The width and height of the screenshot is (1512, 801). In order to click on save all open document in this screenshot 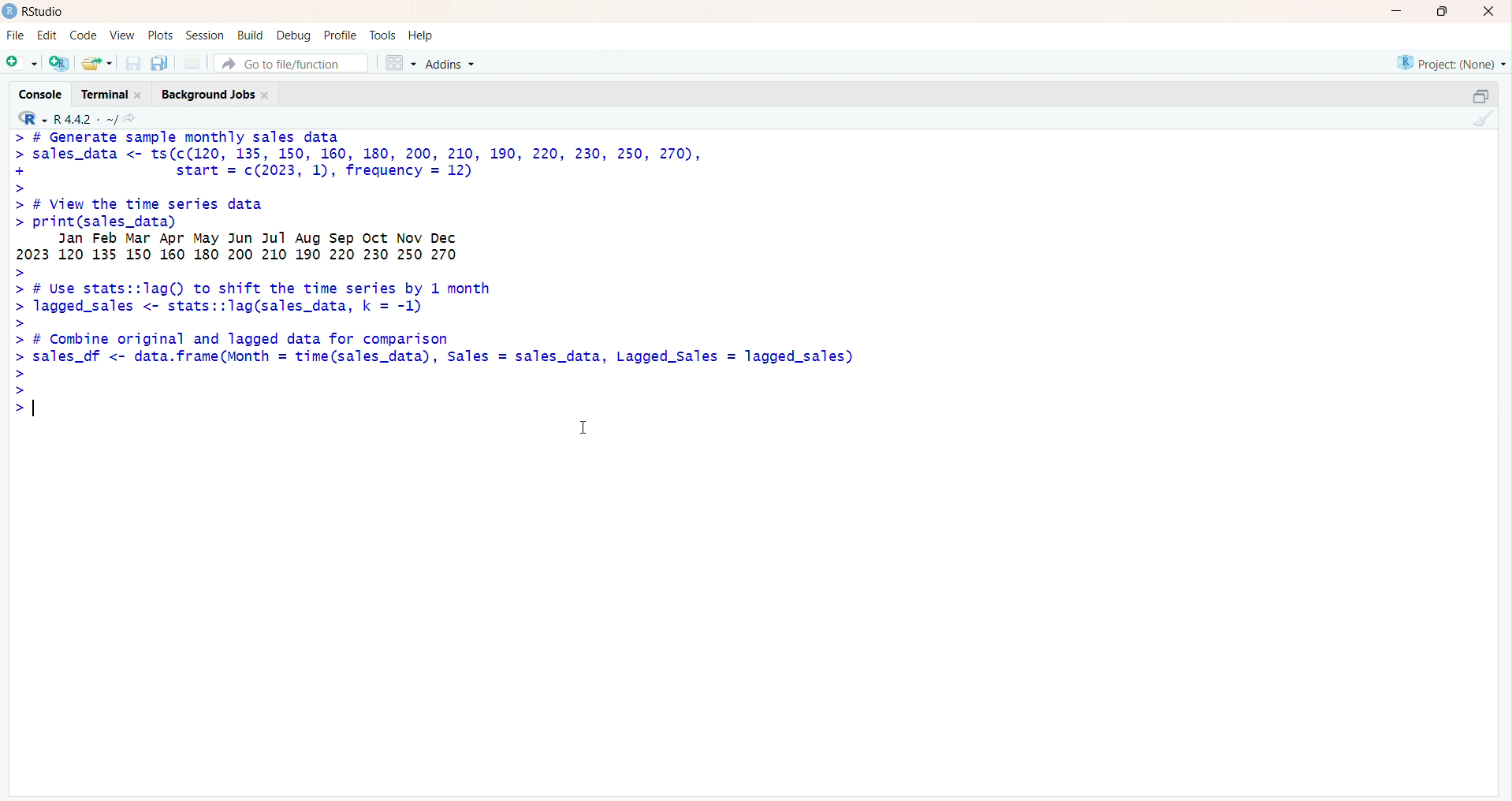, I will do `click(160, 64)`.